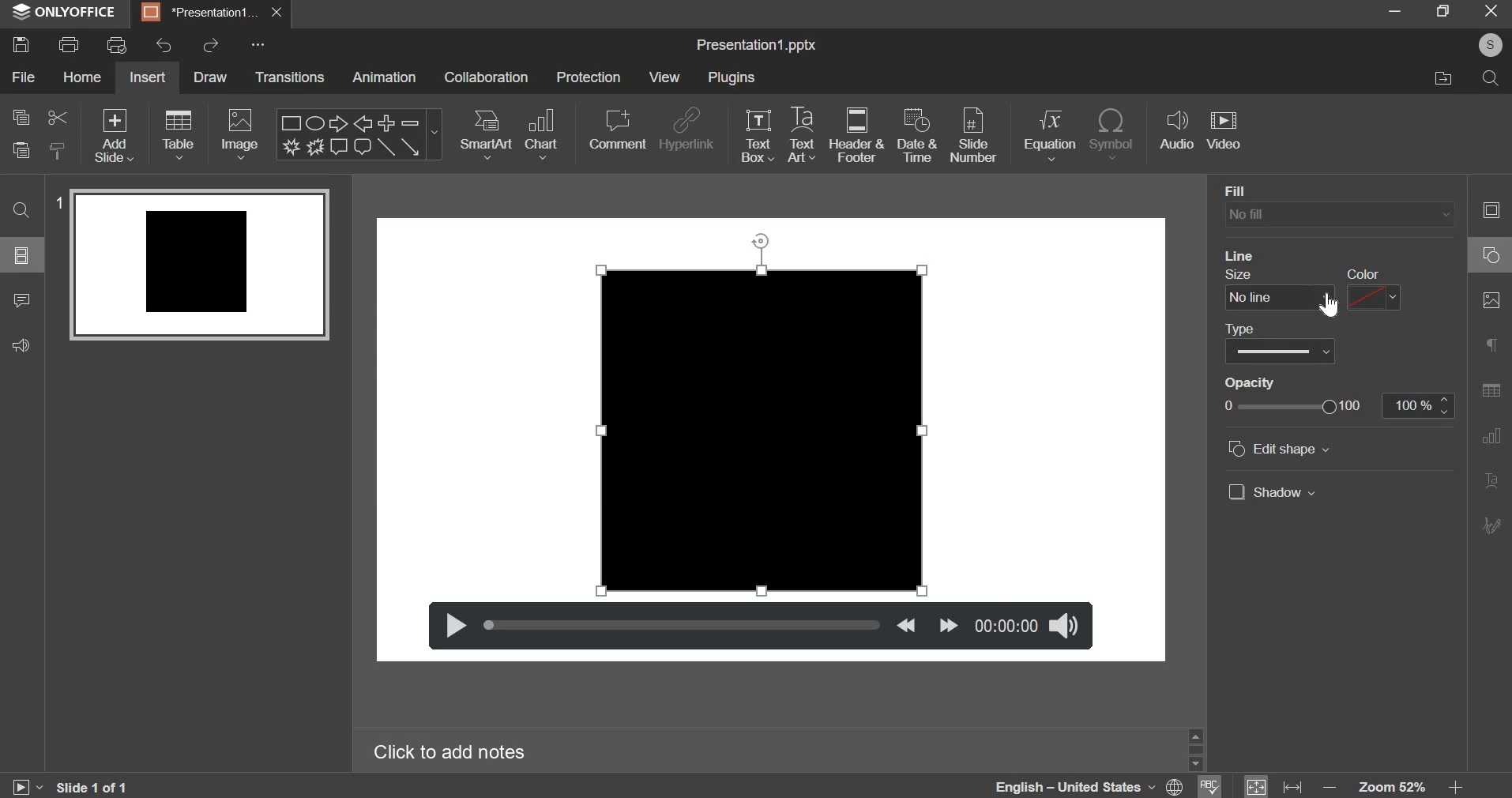 This screenshot has height=798, width=1512. Describe the element at coordinates (239, 136) in the screenshot. I see `image` at that location.